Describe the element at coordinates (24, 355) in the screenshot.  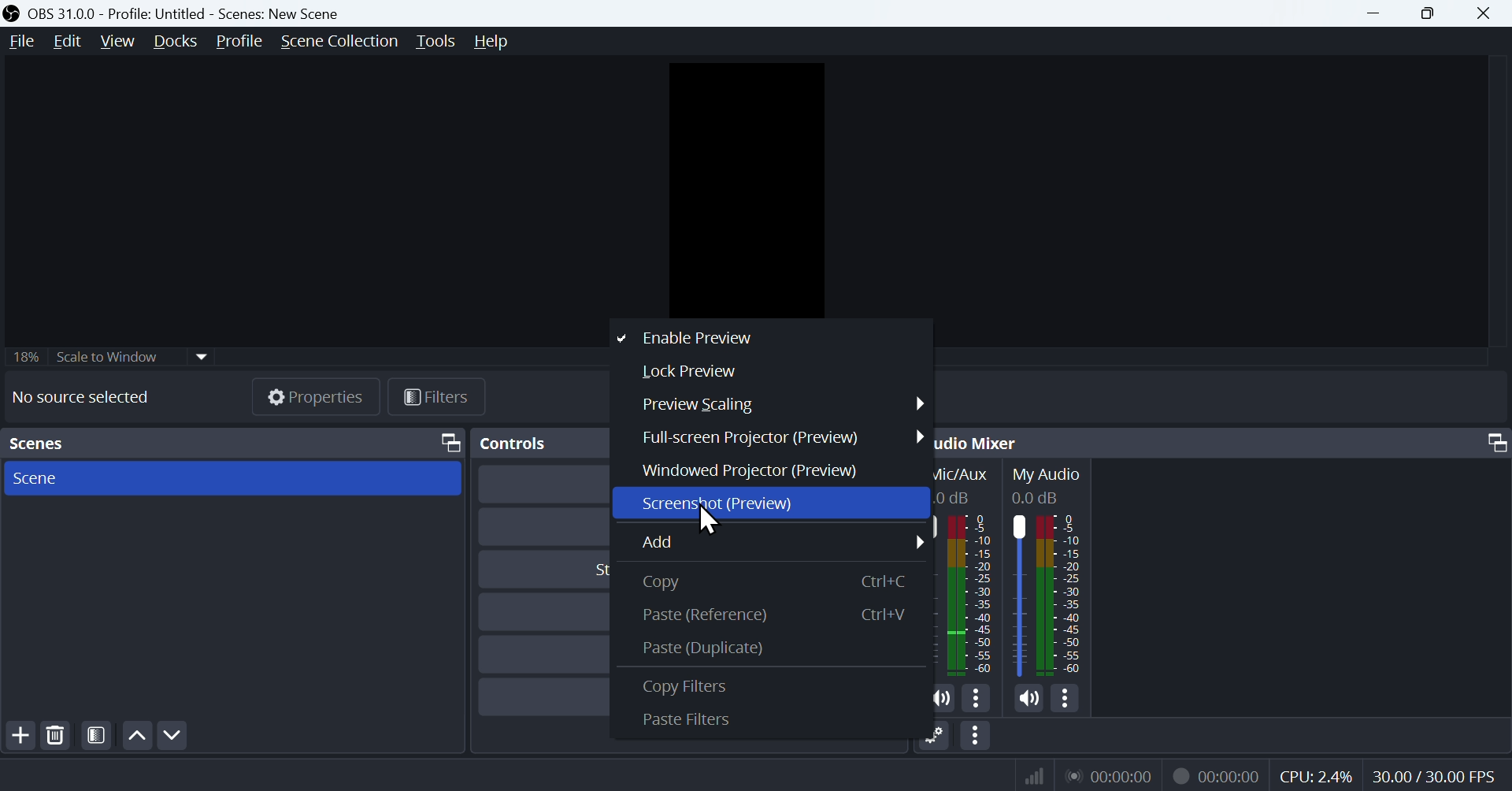
I see `18%` at that location.